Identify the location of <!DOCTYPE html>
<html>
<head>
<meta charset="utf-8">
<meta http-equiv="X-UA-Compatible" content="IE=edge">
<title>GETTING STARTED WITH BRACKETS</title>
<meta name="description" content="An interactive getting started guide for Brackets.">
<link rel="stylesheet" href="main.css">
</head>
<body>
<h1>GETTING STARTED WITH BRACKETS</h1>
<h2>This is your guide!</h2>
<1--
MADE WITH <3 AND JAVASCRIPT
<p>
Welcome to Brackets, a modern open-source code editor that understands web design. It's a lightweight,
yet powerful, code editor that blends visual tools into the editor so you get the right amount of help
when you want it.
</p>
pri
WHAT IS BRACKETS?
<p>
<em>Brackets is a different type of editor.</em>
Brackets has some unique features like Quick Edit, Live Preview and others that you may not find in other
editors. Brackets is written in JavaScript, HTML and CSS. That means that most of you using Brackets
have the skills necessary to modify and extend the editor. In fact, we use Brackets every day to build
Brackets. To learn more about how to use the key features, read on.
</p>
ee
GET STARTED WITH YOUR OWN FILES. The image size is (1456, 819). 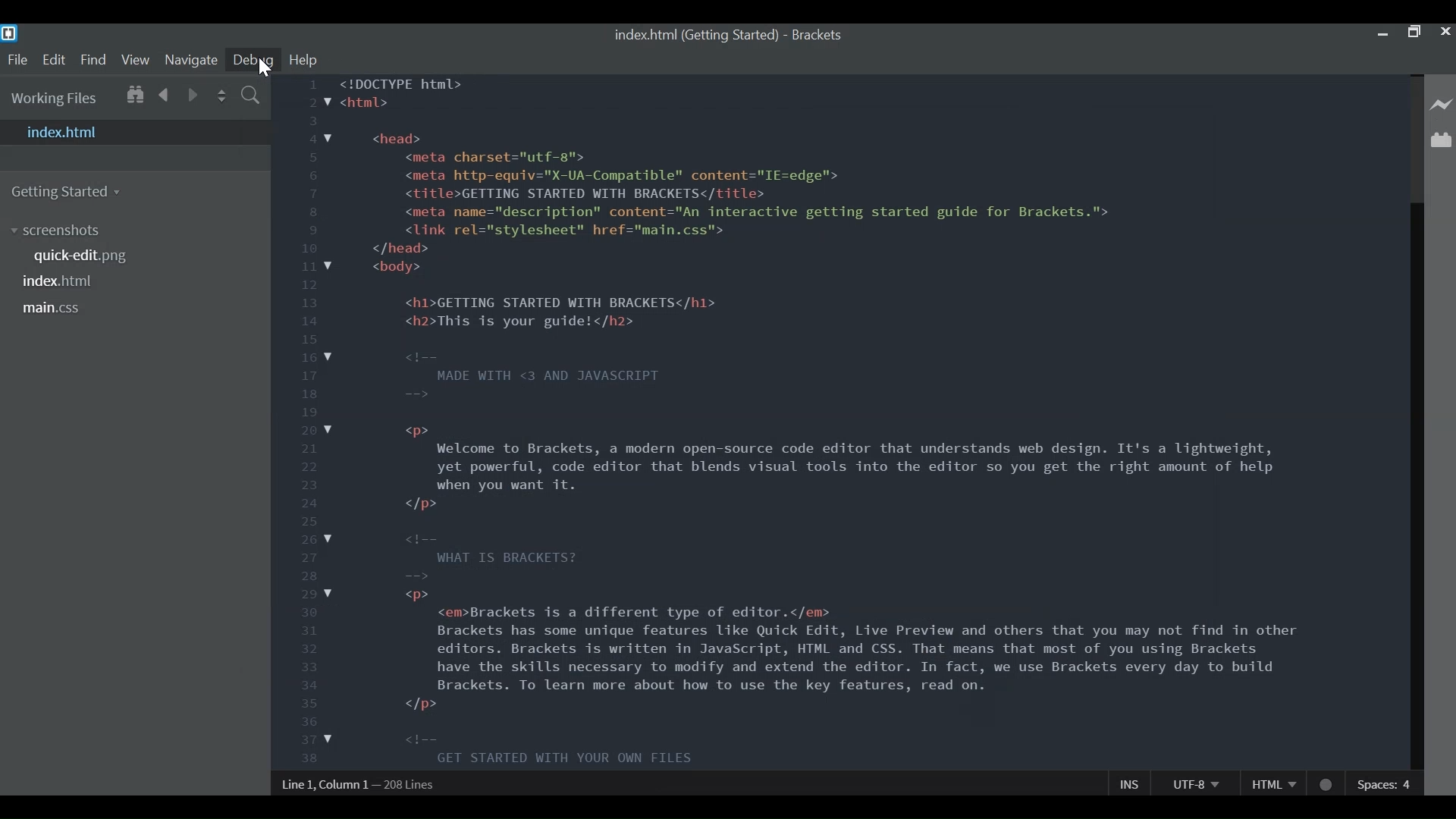
(840, 419).